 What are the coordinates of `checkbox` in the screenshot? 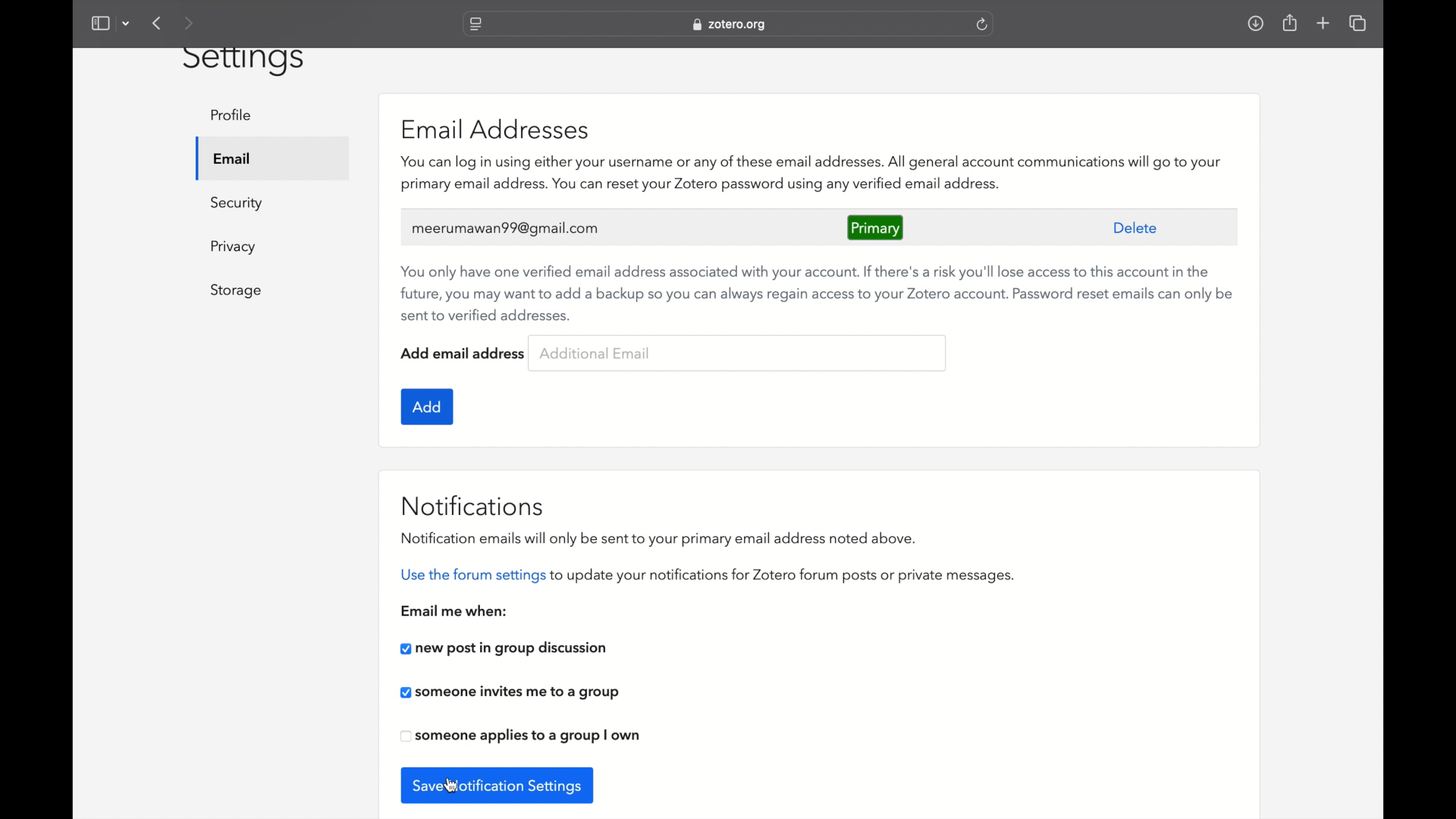 It's located at (513, 693).